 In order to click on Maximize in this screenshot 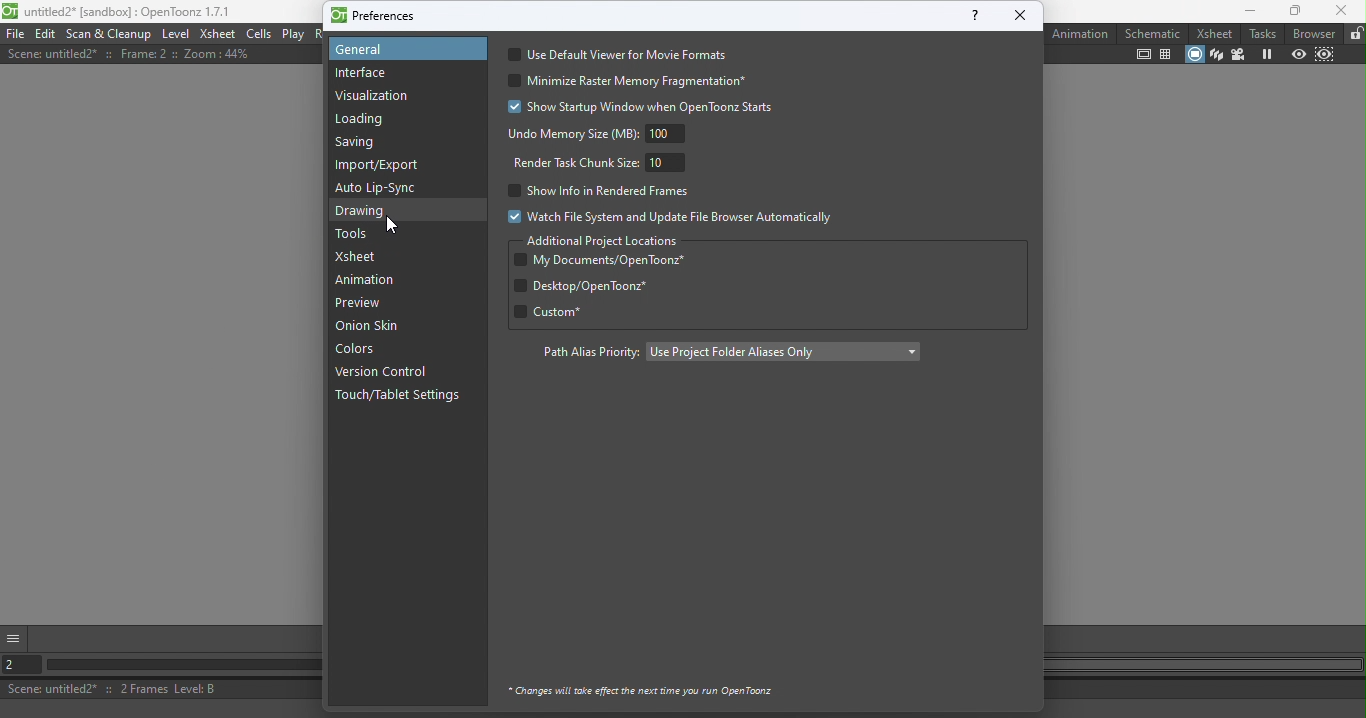, I will do `click(1292, 12)`.